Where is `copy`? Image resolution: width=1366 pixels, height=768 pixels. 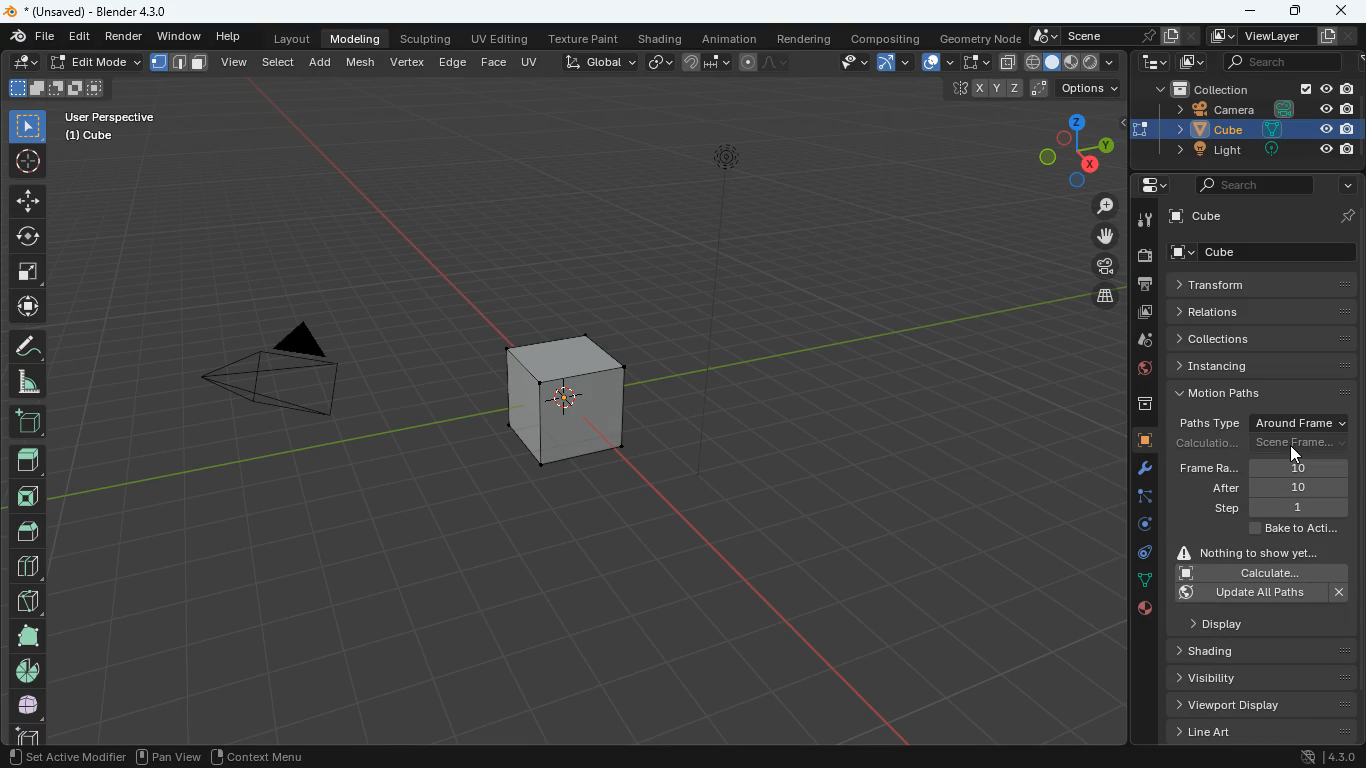 copy is located at coordinates (660, 60).